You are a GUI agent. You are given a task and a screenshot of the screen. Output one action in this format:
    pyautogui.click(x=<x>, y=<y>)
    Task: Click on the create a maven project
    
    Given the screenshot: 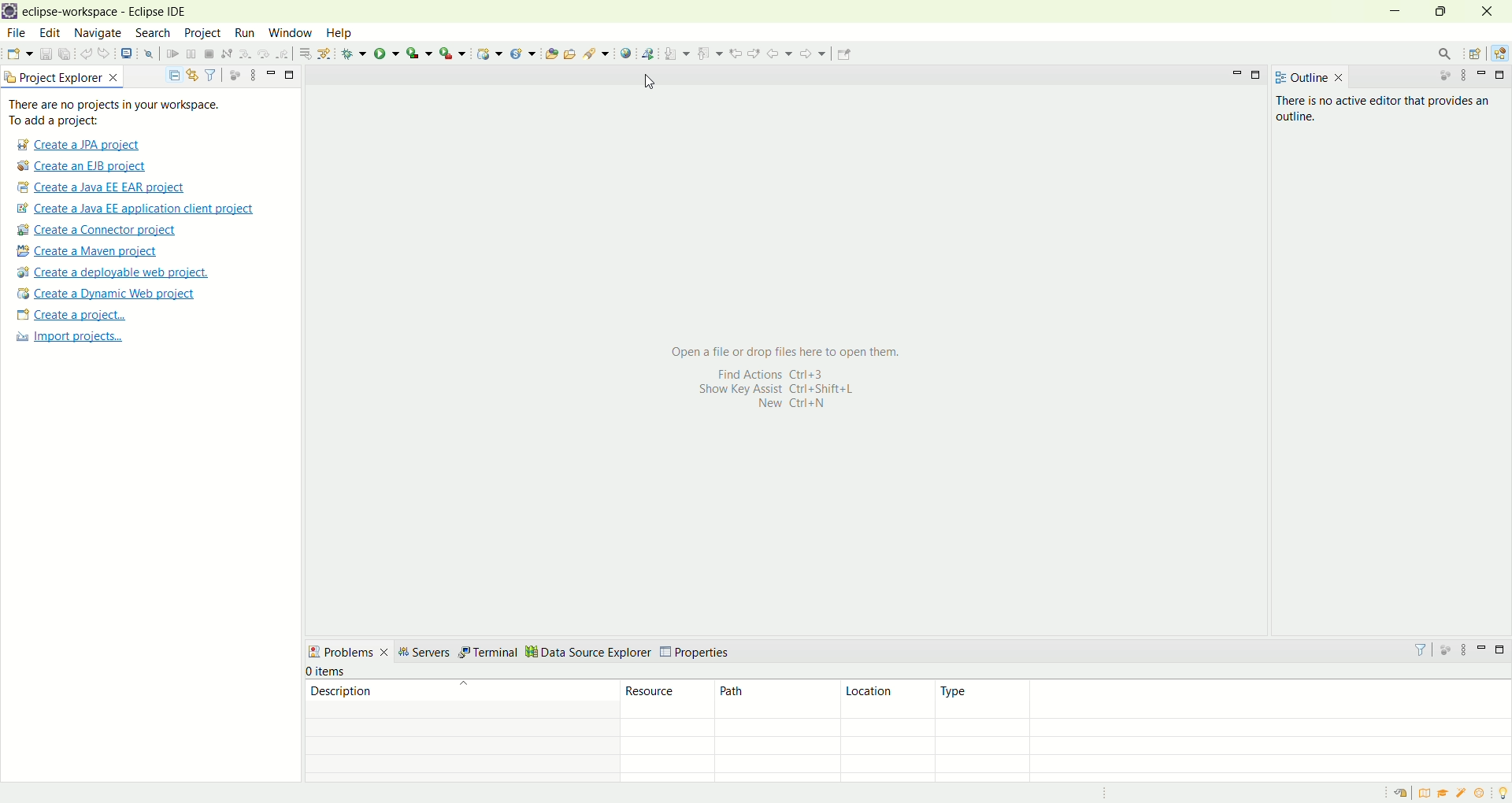 What is the action you would take?
    pyautogui.click(x=92, y=252)
    